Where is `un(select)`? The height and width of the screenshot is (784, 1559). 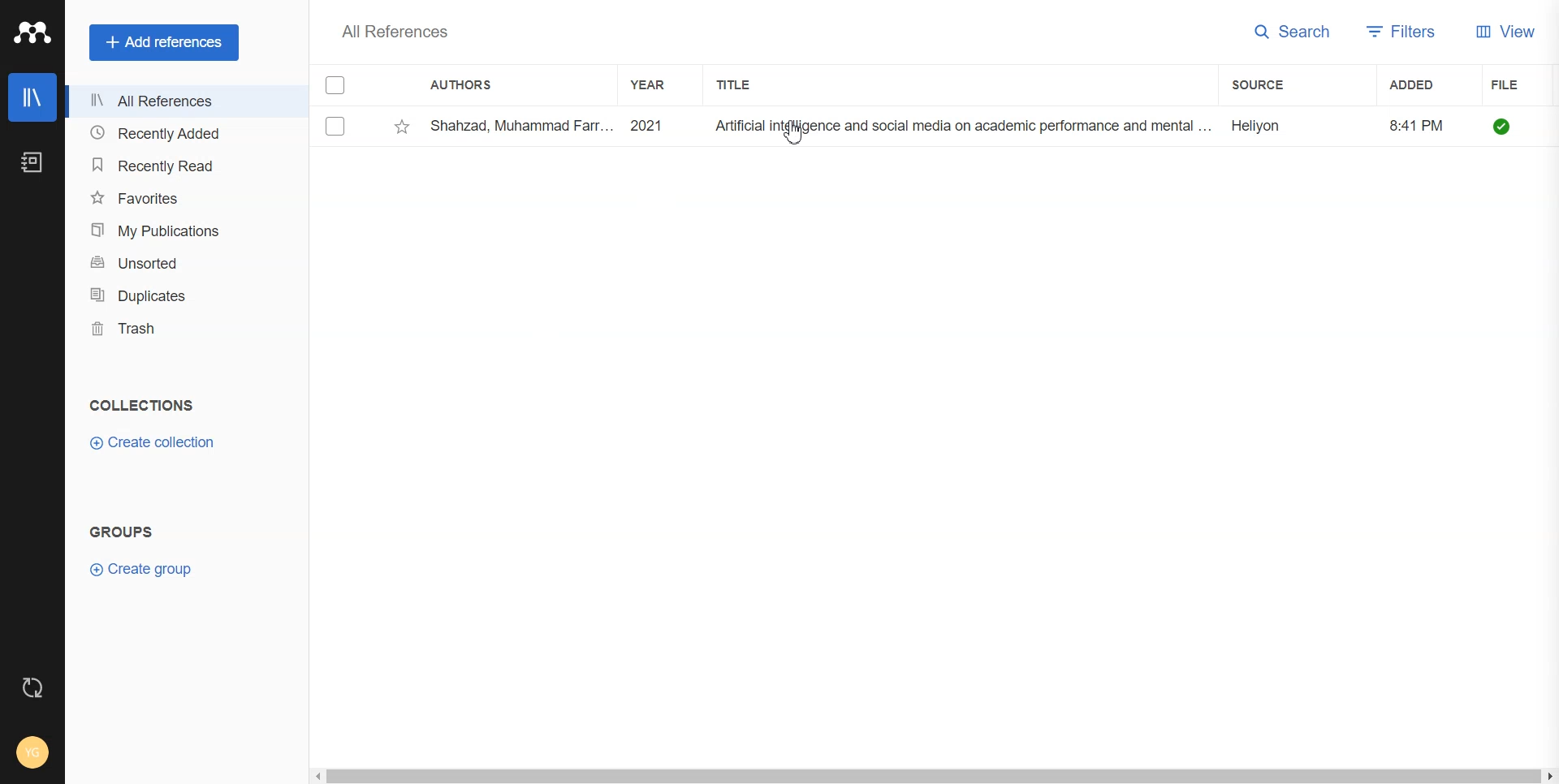
un(select) is located at coordinates (335, 126).